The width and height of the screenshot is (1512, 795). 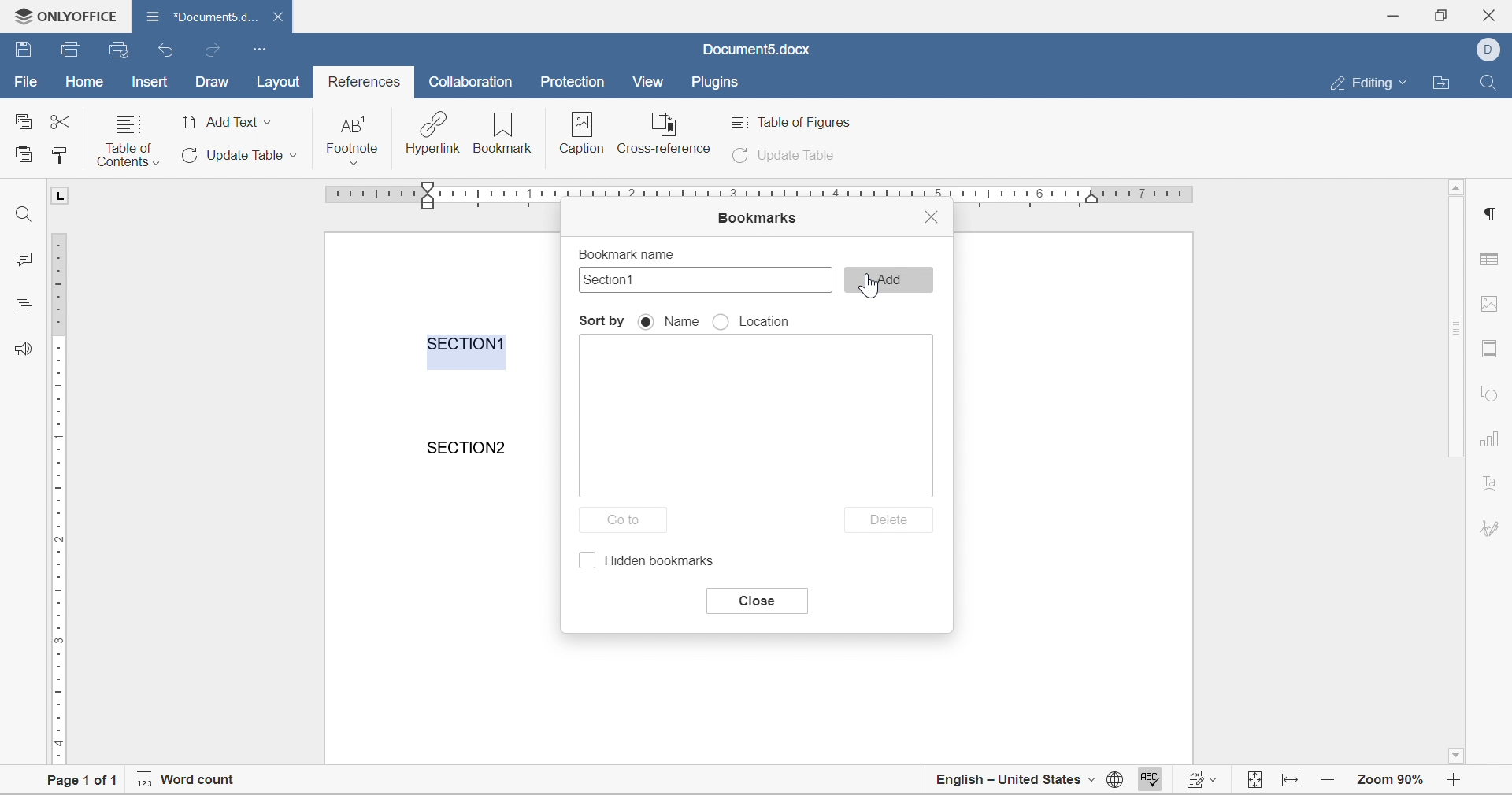 What do you see at coordinates (602, 321) in the screenshot?
I see `sort by` at bounding box center [602, 321].